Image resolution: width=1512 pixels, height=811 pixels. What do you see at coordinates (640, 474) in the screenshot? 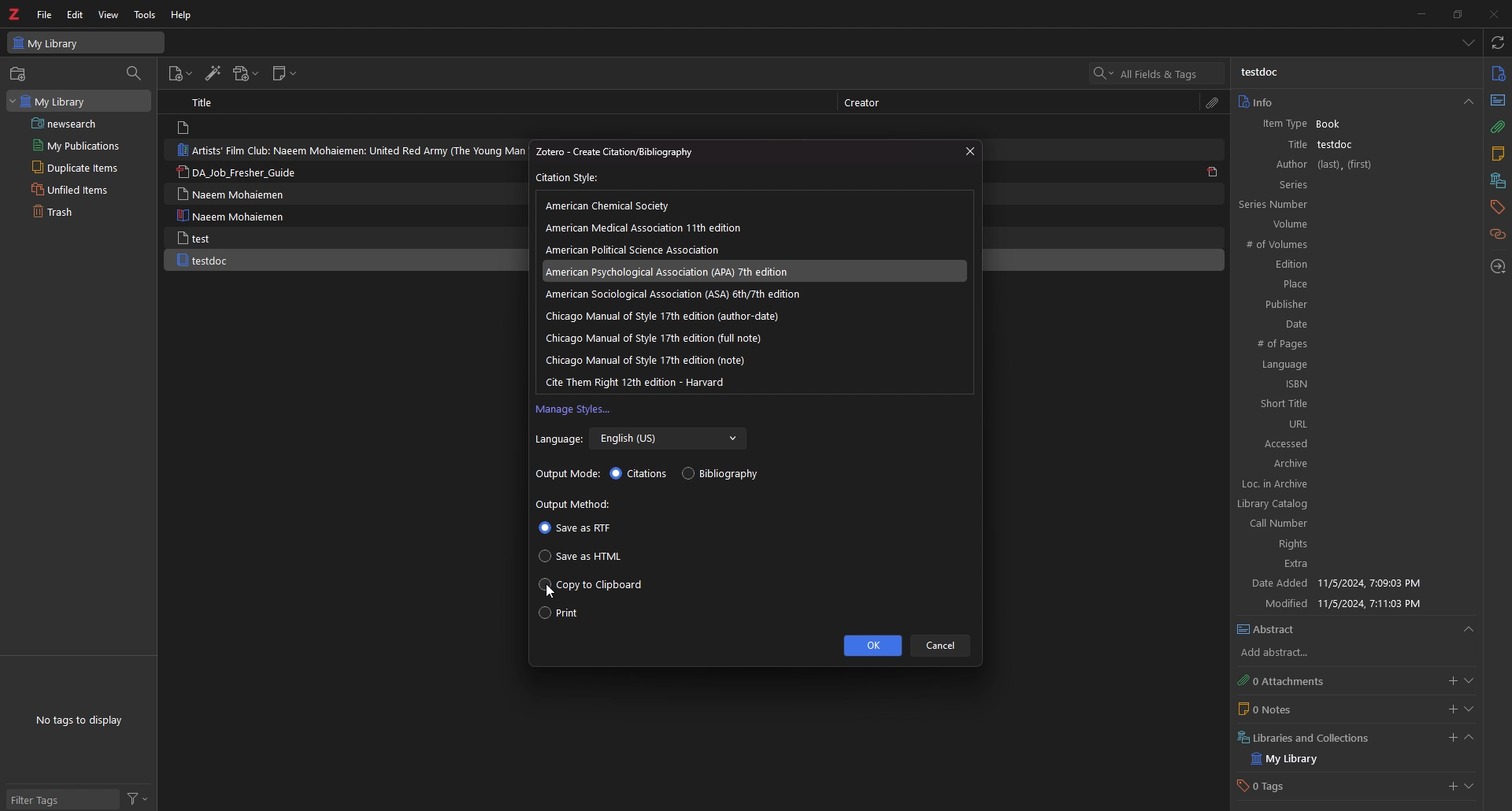
I see `citations` at bounding box center [640, 474].